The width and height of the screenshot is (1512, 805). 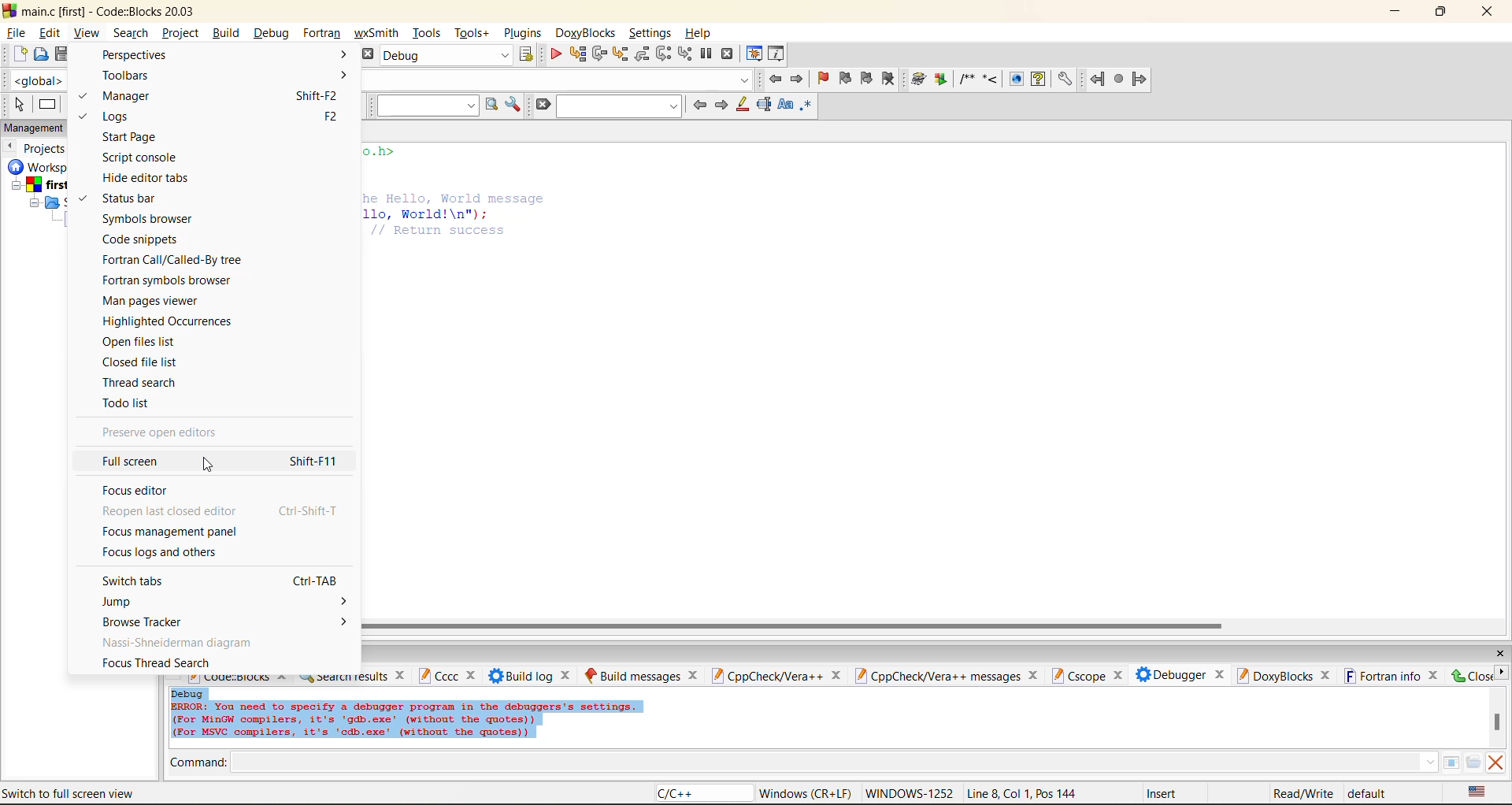 What do you see at coordinates (797, 80) in the screenshot?
I see `jump forward` at bounding box center [797, 80].